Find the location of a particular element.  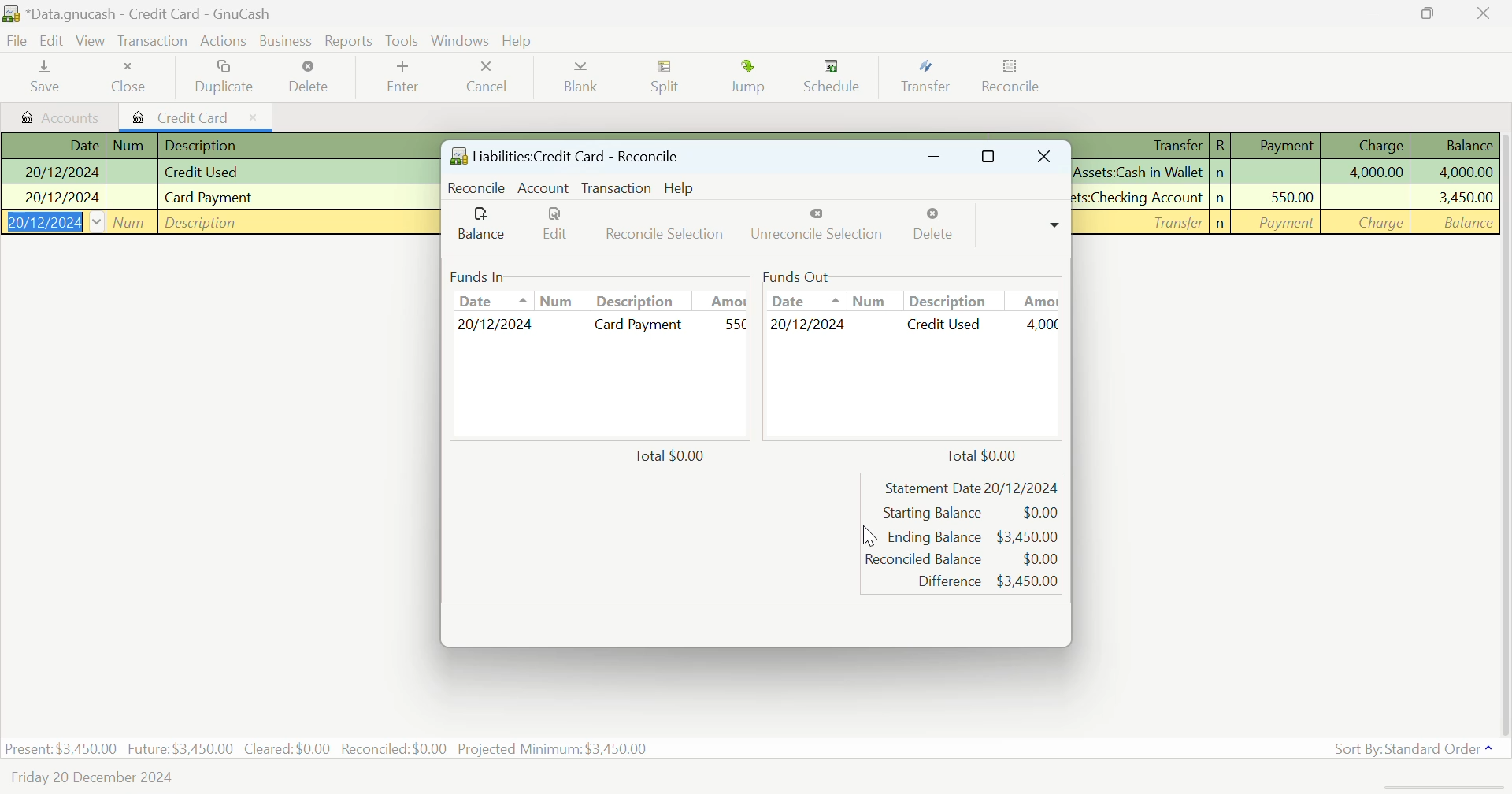

Transaction Details Column Headings is located at coordinates (216, 143).